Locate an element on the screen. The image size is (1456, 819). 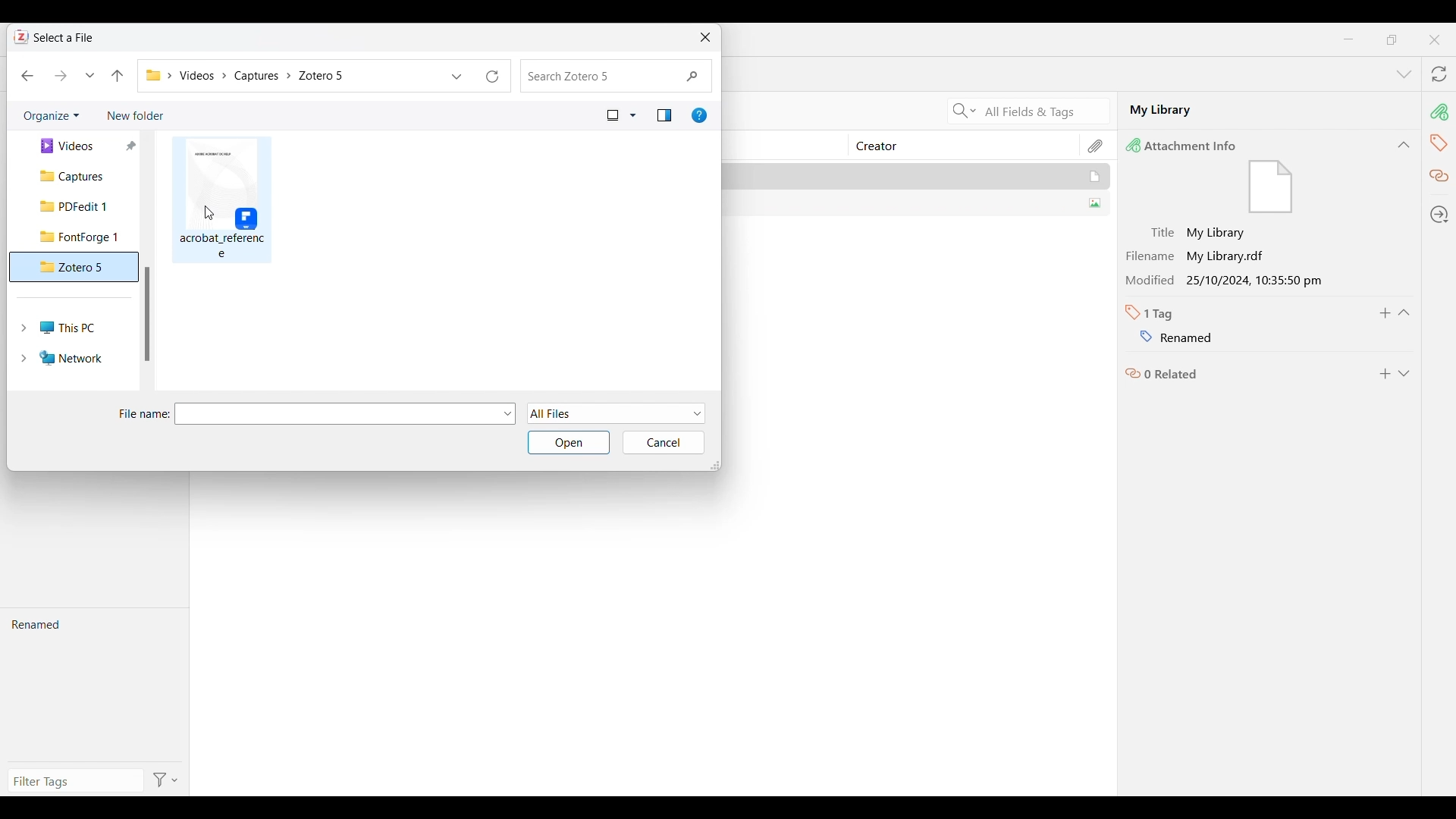
My Library is located at coordinates (915, 175).